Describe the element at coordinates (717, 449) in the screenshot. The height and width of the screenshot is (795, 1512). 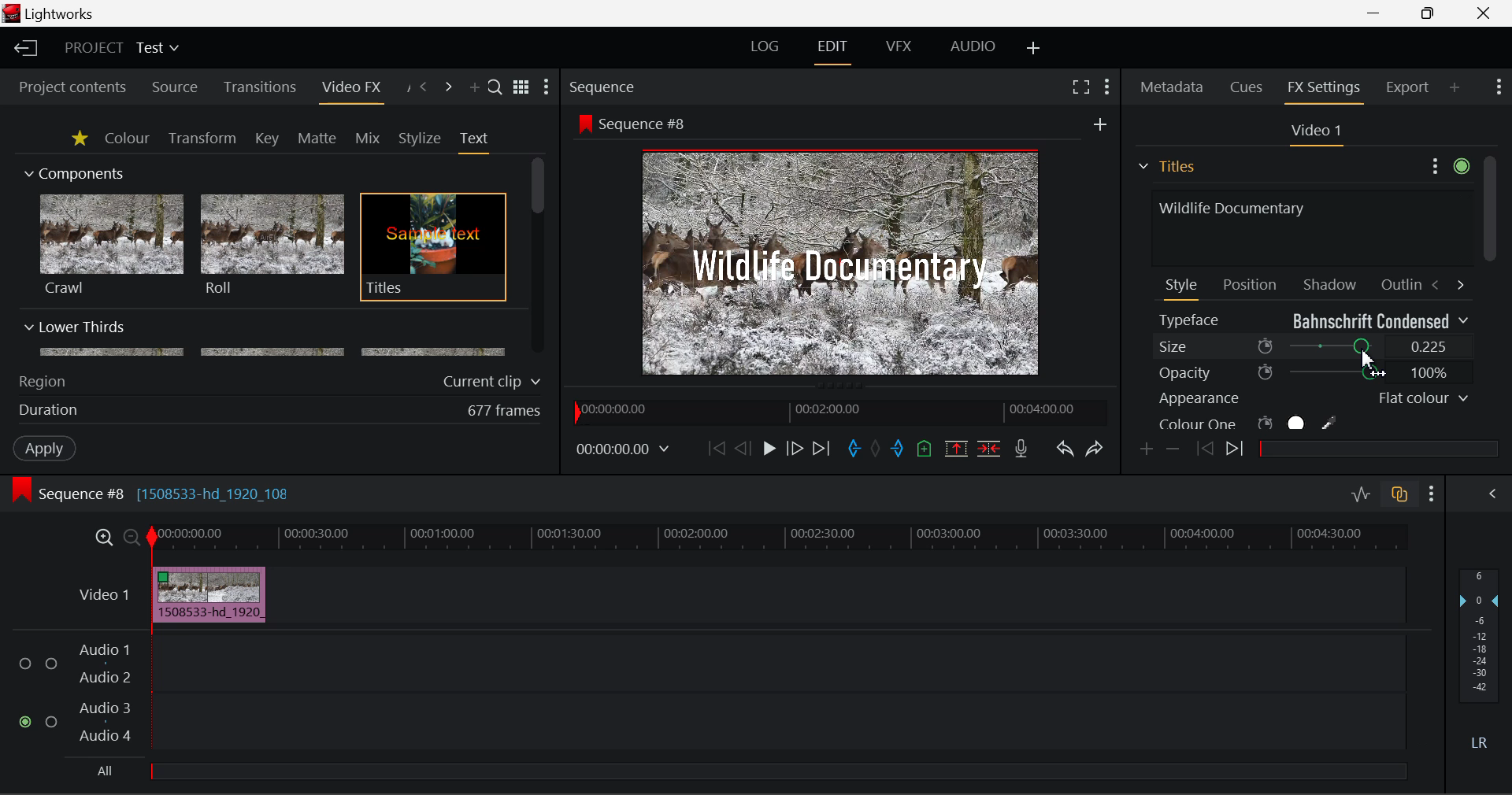
I see `To Start` at that location.